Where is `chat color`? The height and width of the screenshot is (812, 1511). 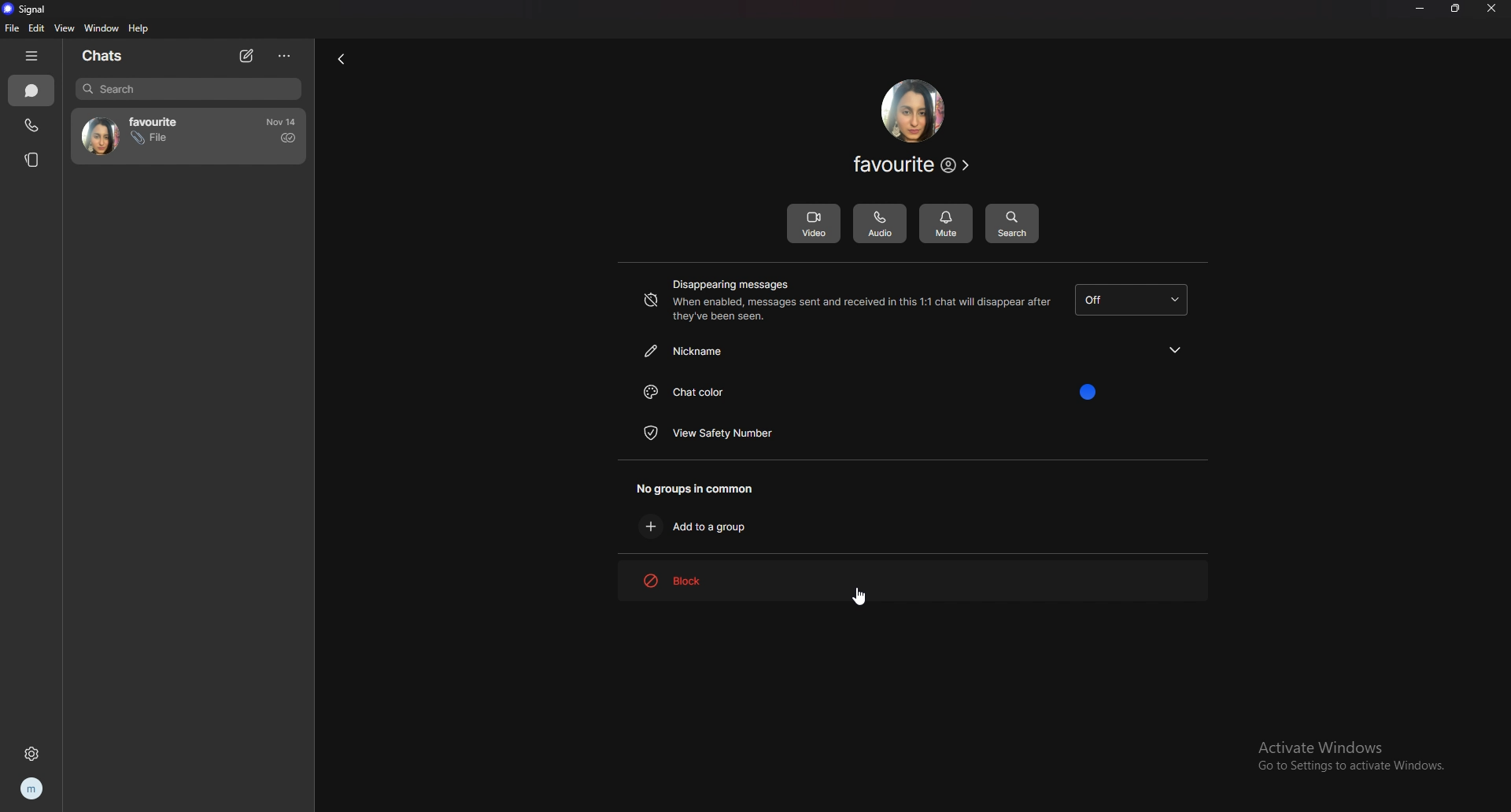
chat color is located at coordinates (911, 390).